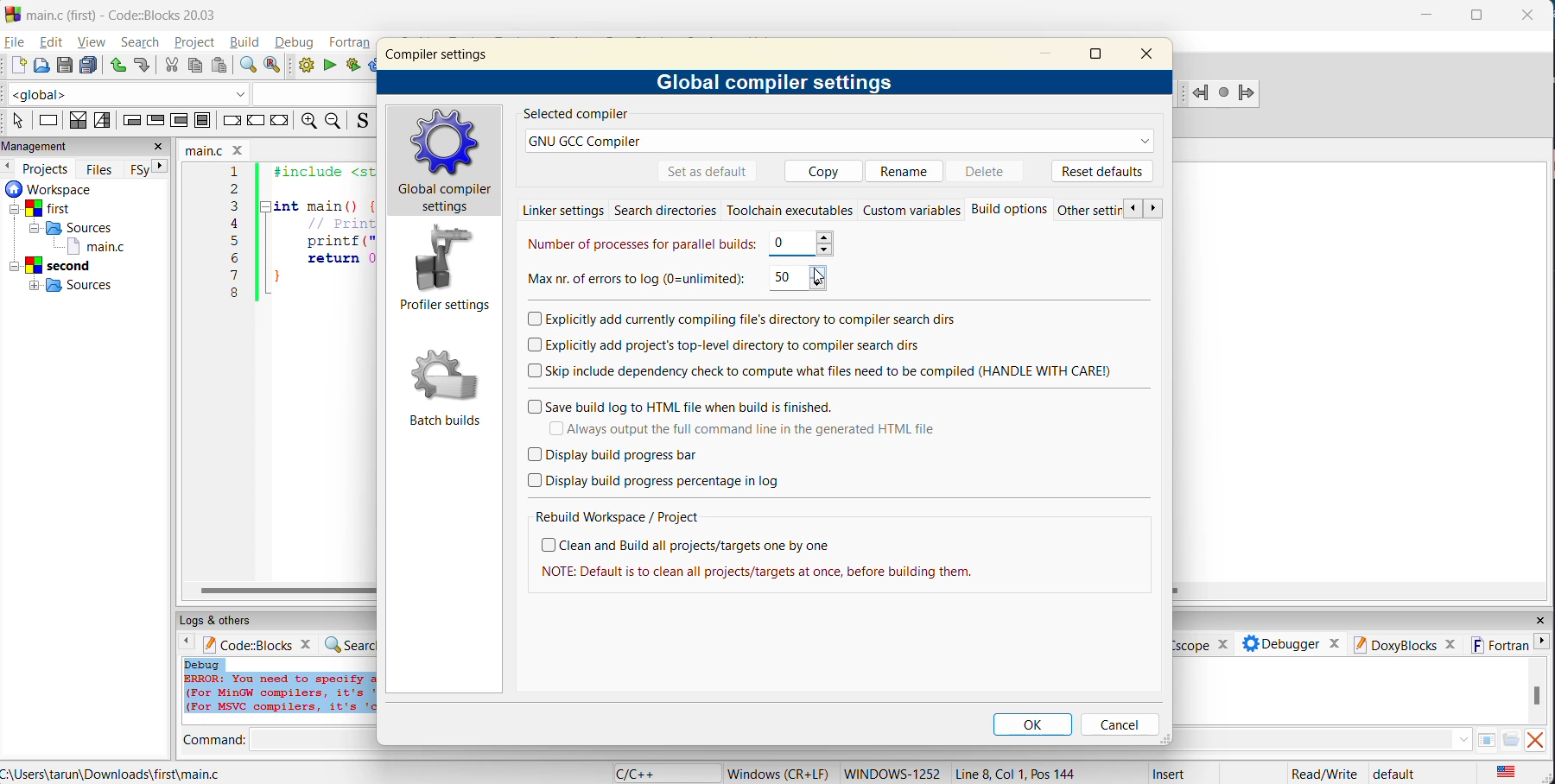  Describe the element at coordinates (181, 122) in the screenshot. I see `counting loop` at that location.